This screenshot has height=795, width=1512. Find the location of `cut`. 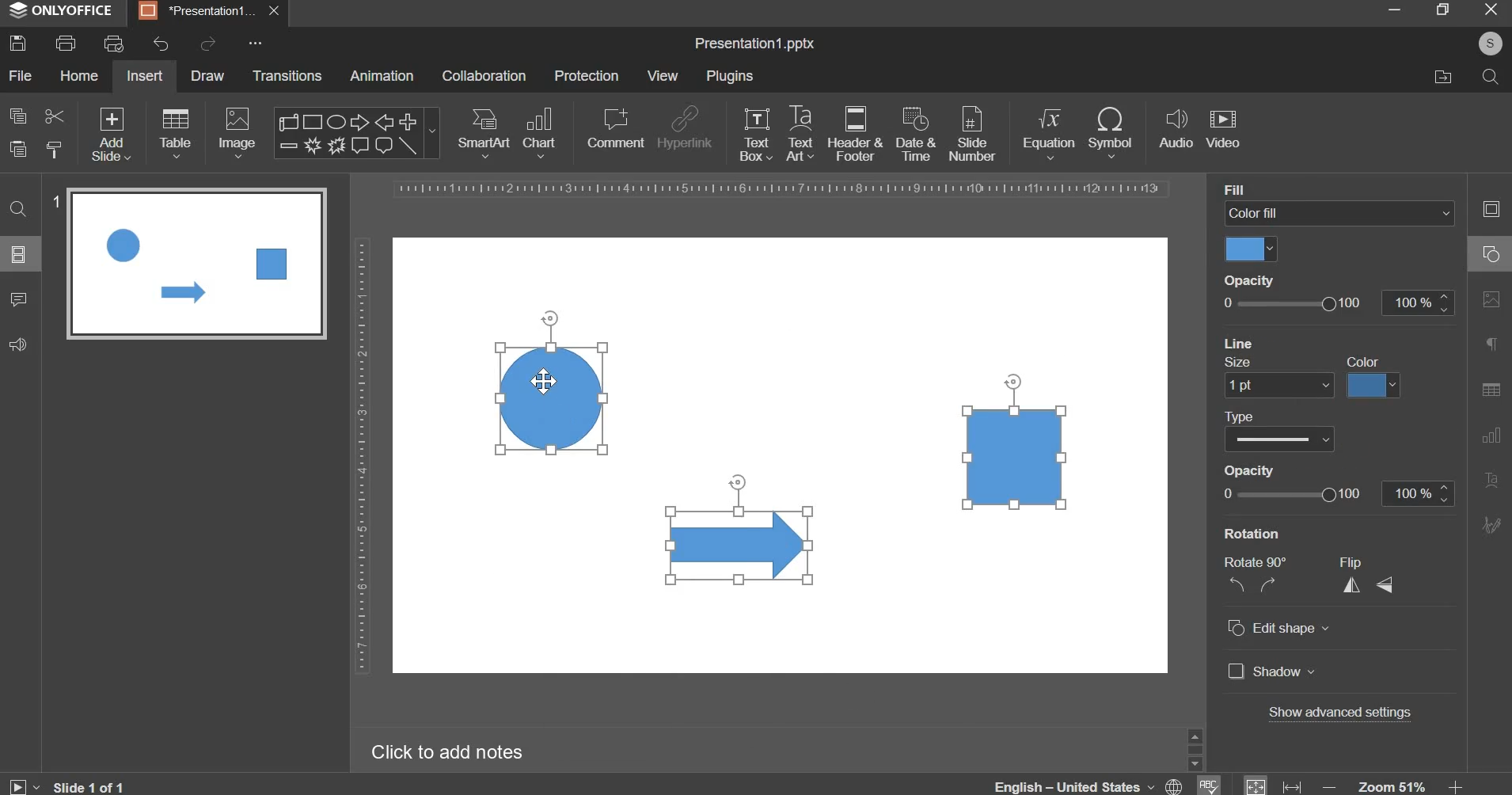

cut is located at coordinates (53, 115).